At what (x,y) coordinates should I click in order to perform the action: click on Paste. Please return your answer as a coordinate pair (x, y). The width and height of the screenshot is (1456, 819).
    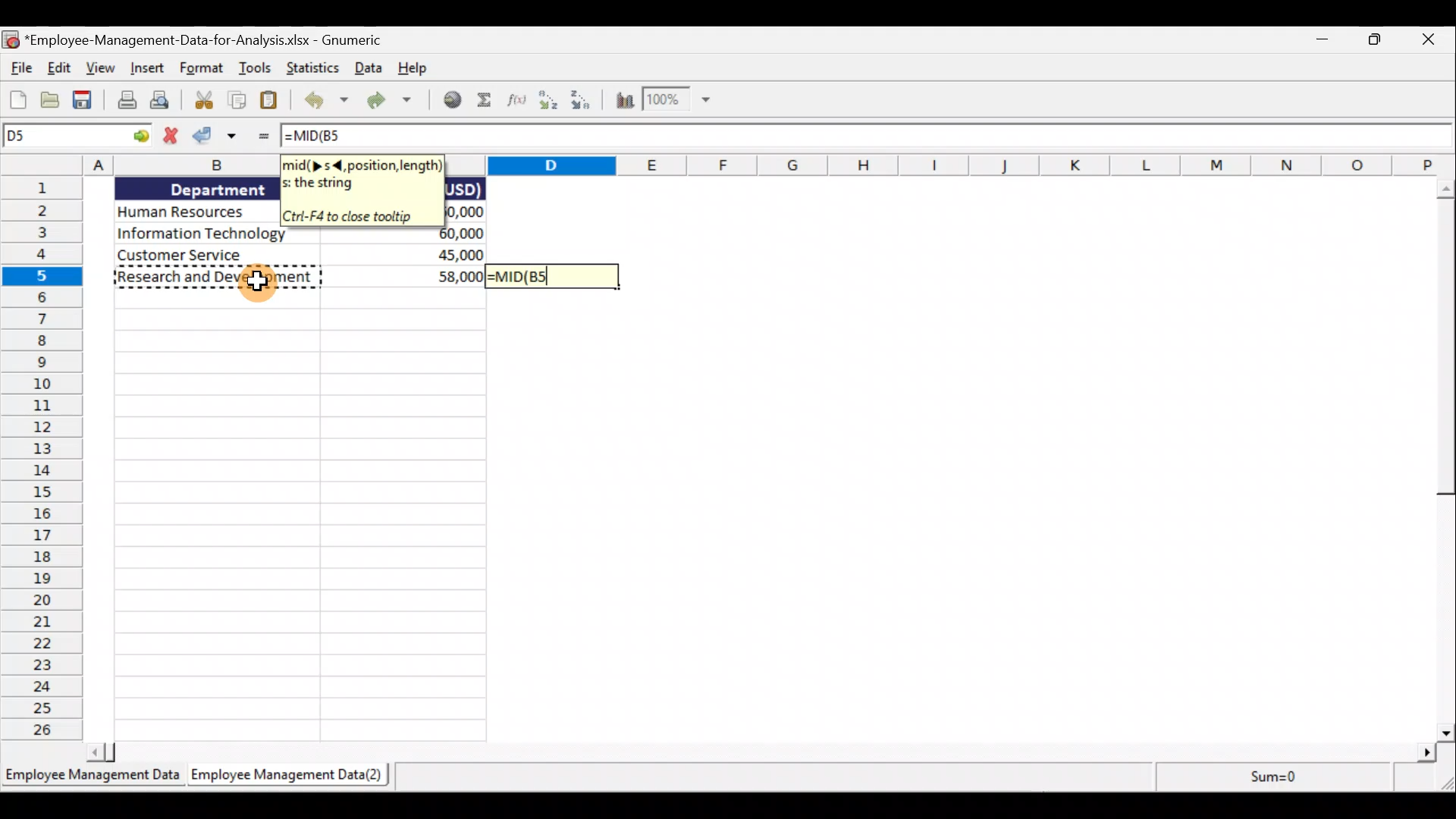
    Looking at the image, I should click on (270, 99).